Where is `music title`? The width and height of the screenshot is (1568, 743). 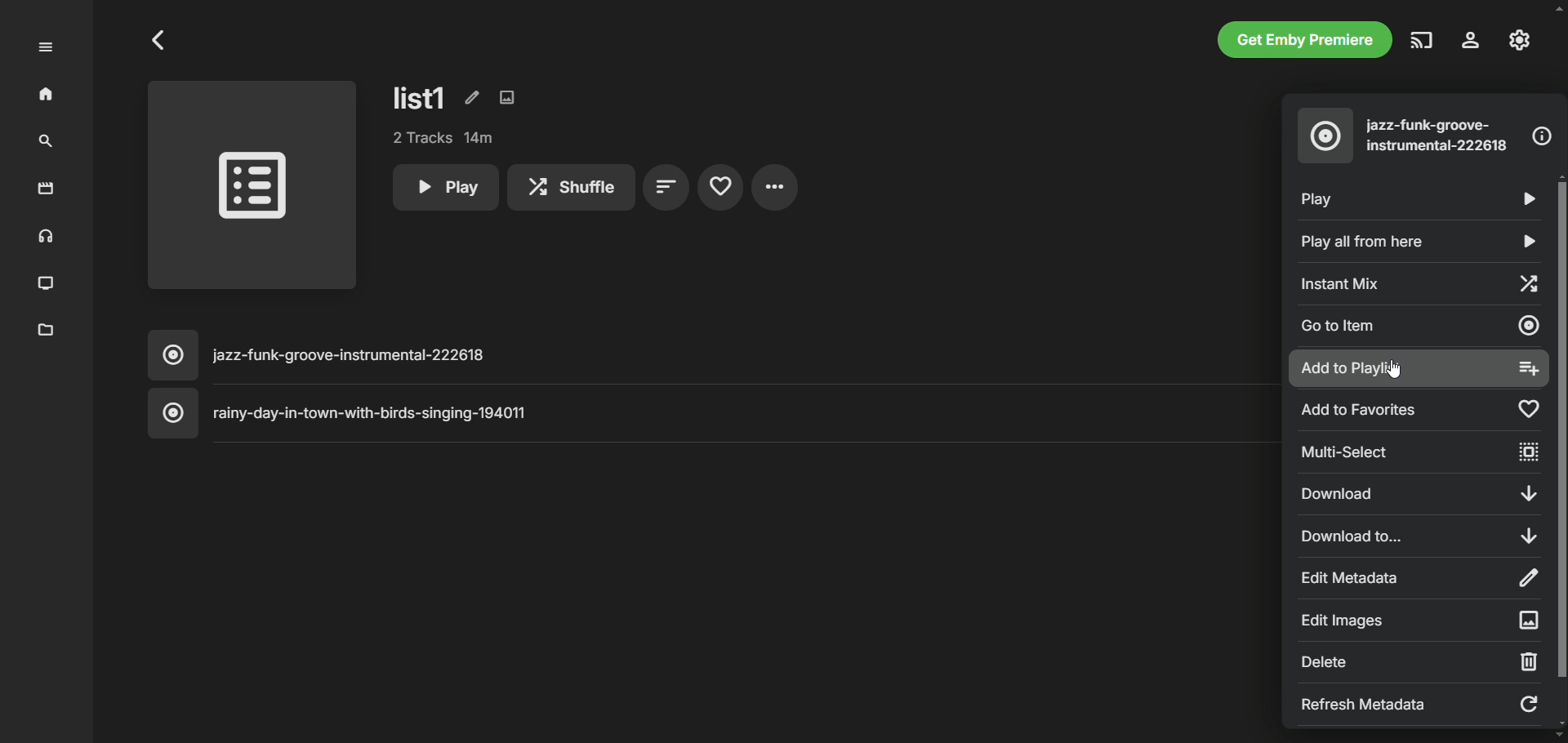
music title is located at coordinates (710, 355).